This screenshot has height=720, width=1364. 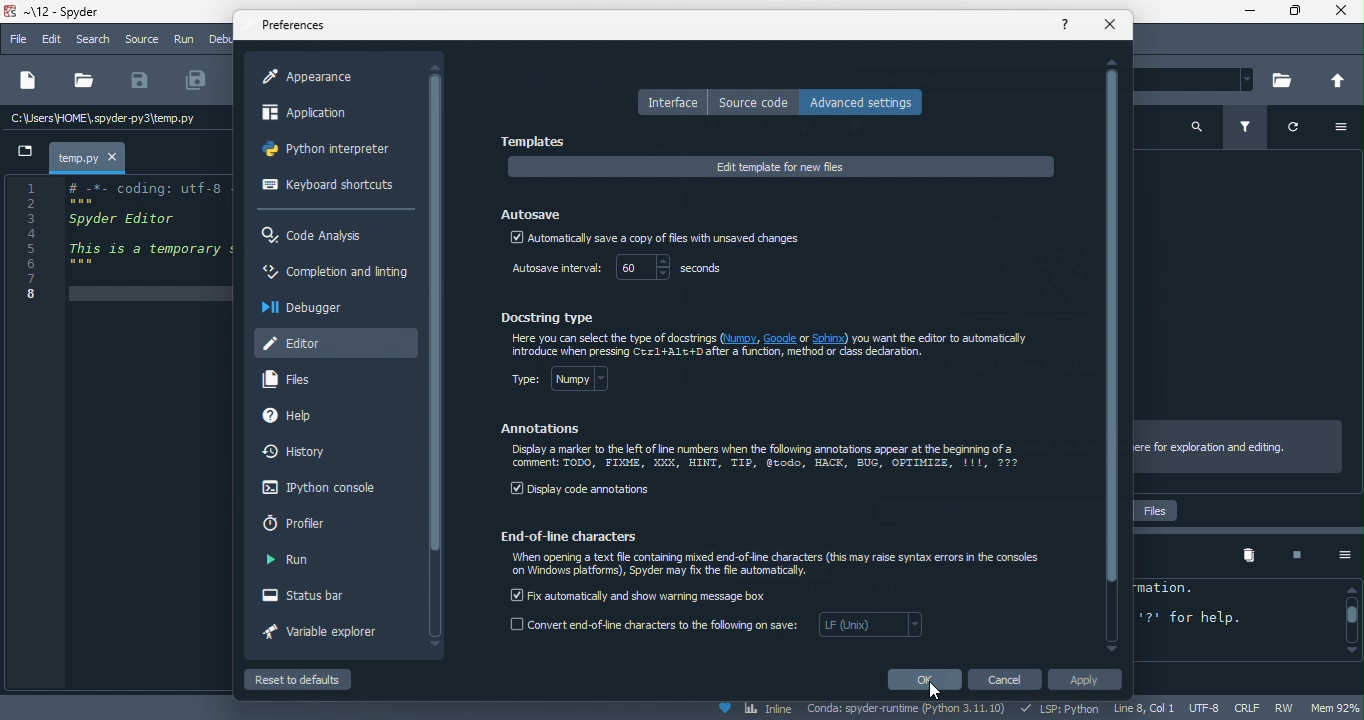 I want to click on completion, so click(x=334, y=275).